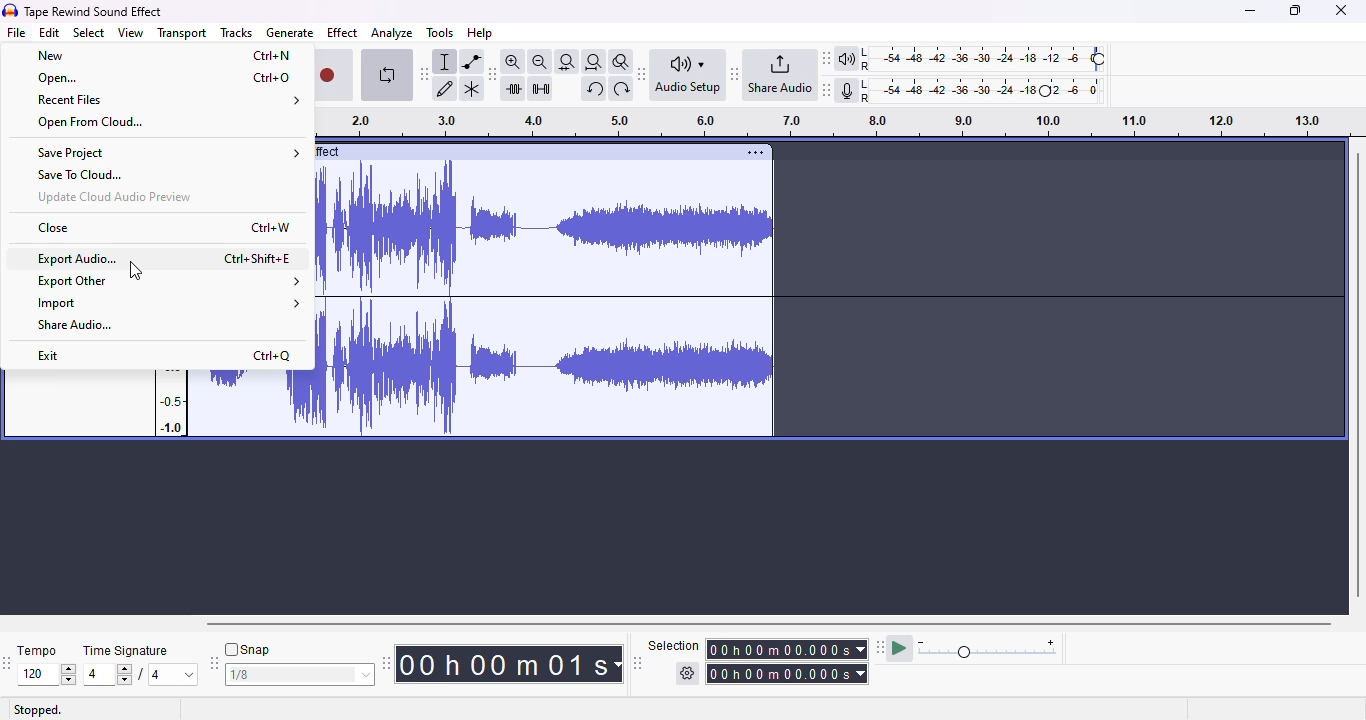 The width and height of the screenshot is (1366, 720). Describe the element at coordinates (540, 61) in the screenshot. I see `zoom out` at that location.